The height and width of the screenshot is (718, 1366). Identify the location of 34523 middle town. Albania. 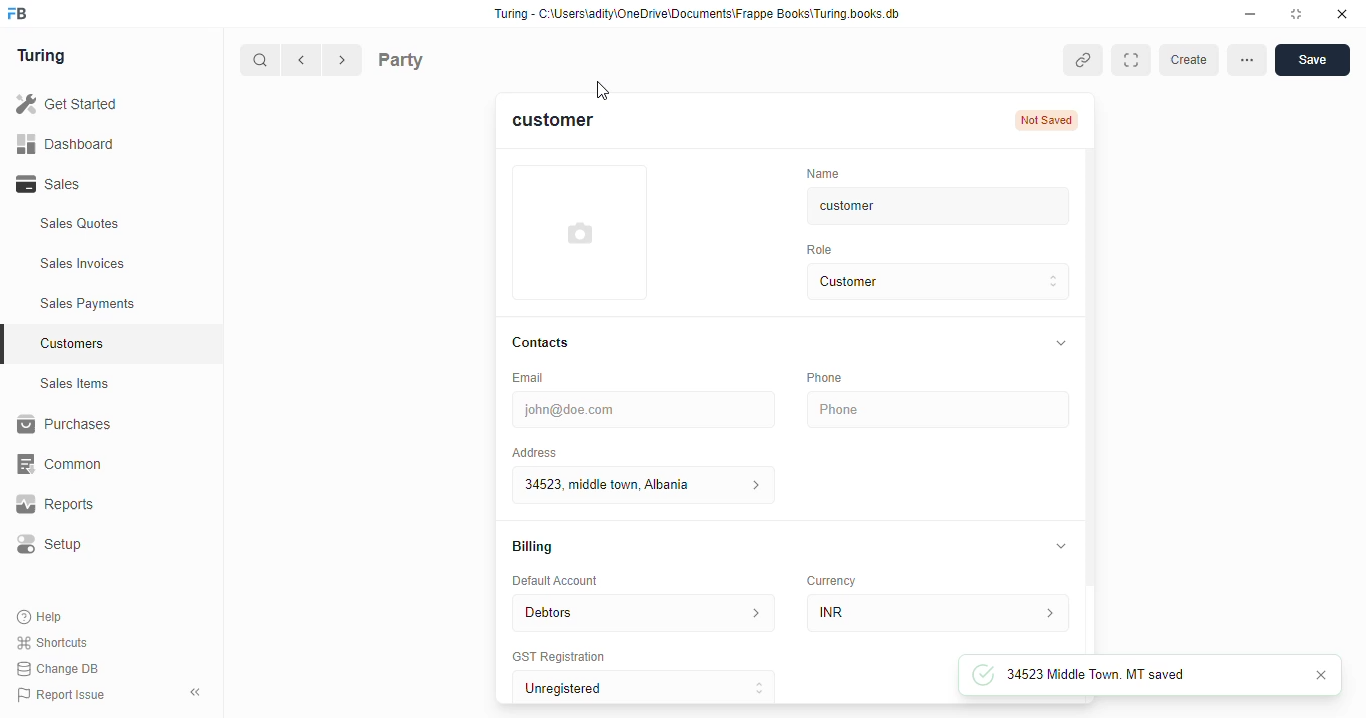
(643, 483).